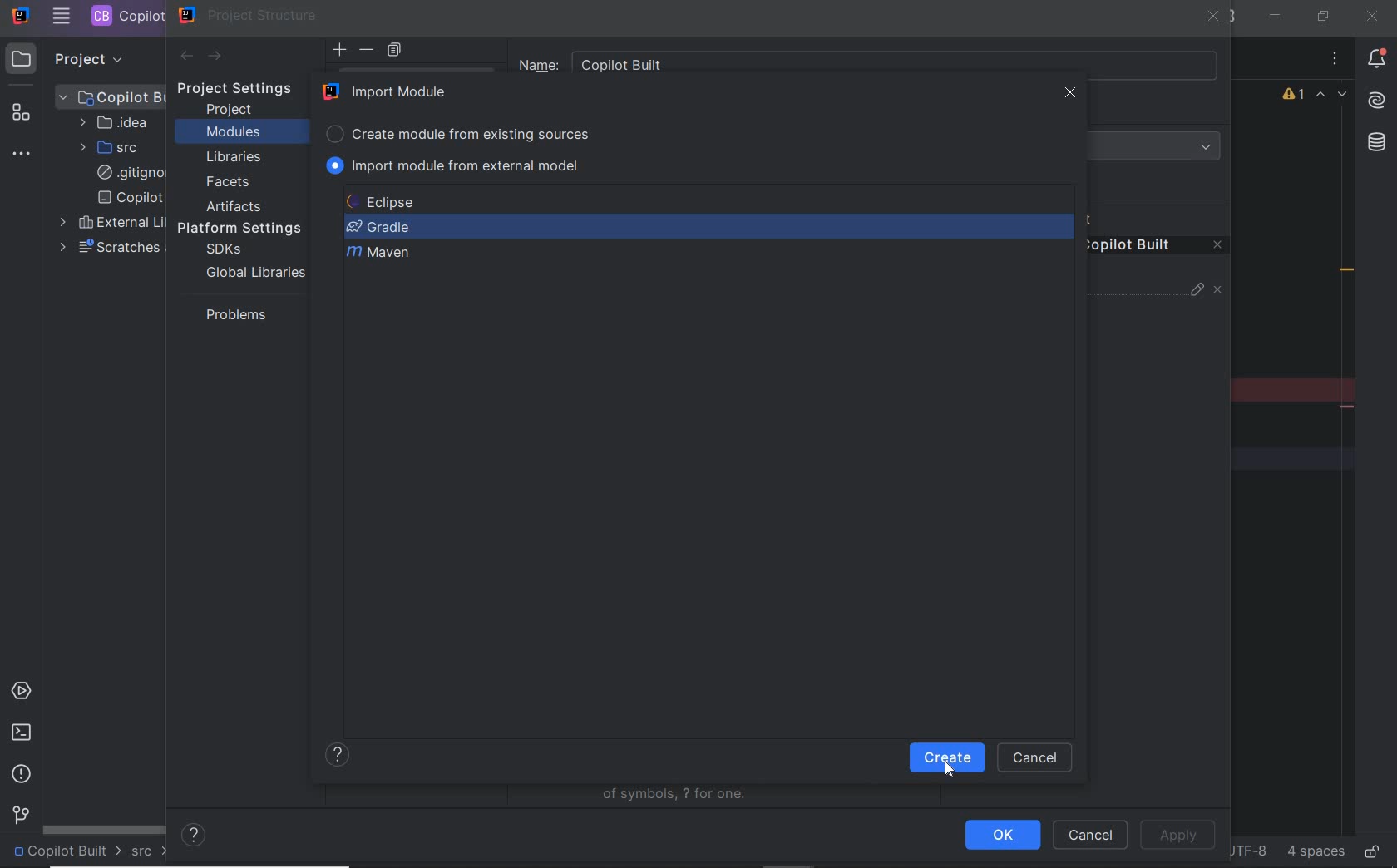  I want to click on sdks, so click(222, 250).